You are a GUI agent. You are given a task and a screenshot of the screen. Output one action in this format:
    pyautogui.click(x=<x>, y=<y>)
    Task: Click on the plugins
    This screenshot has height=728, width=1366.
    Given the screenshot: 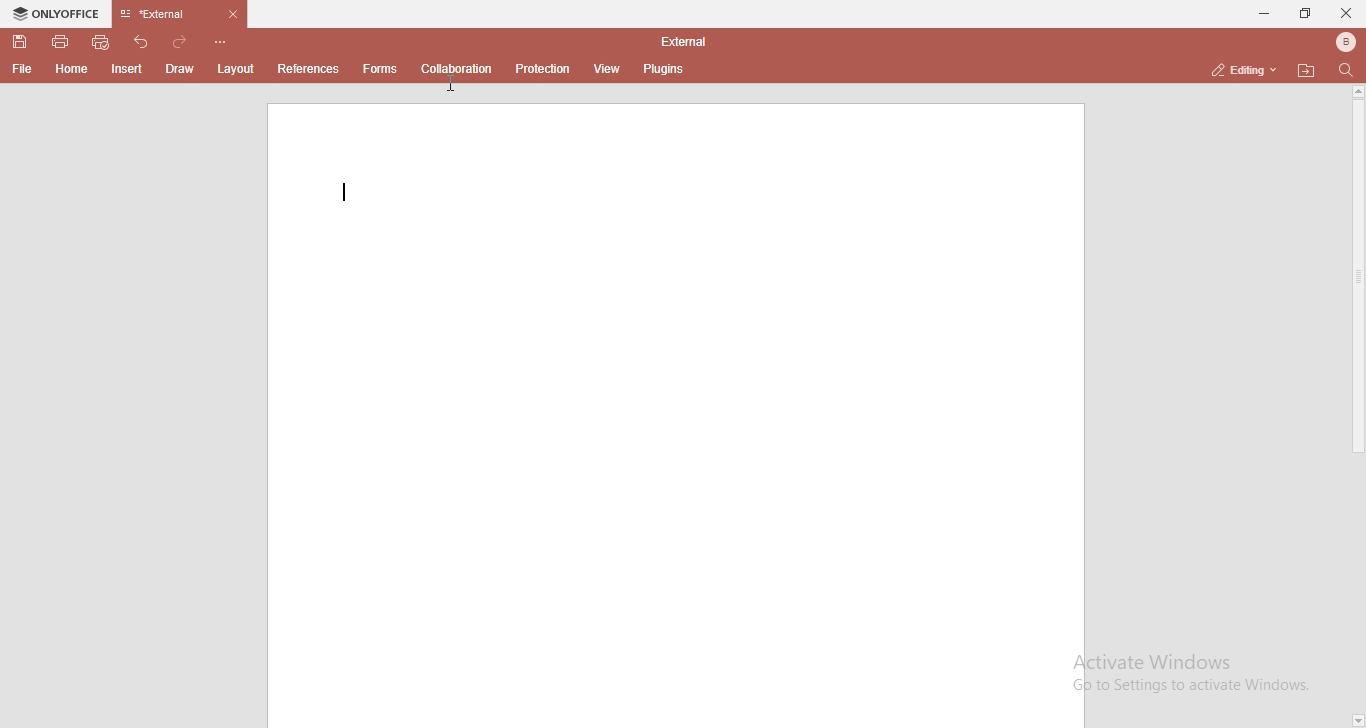 What is the action you would take?
    pyautogui.click(x=664, y=70)
    